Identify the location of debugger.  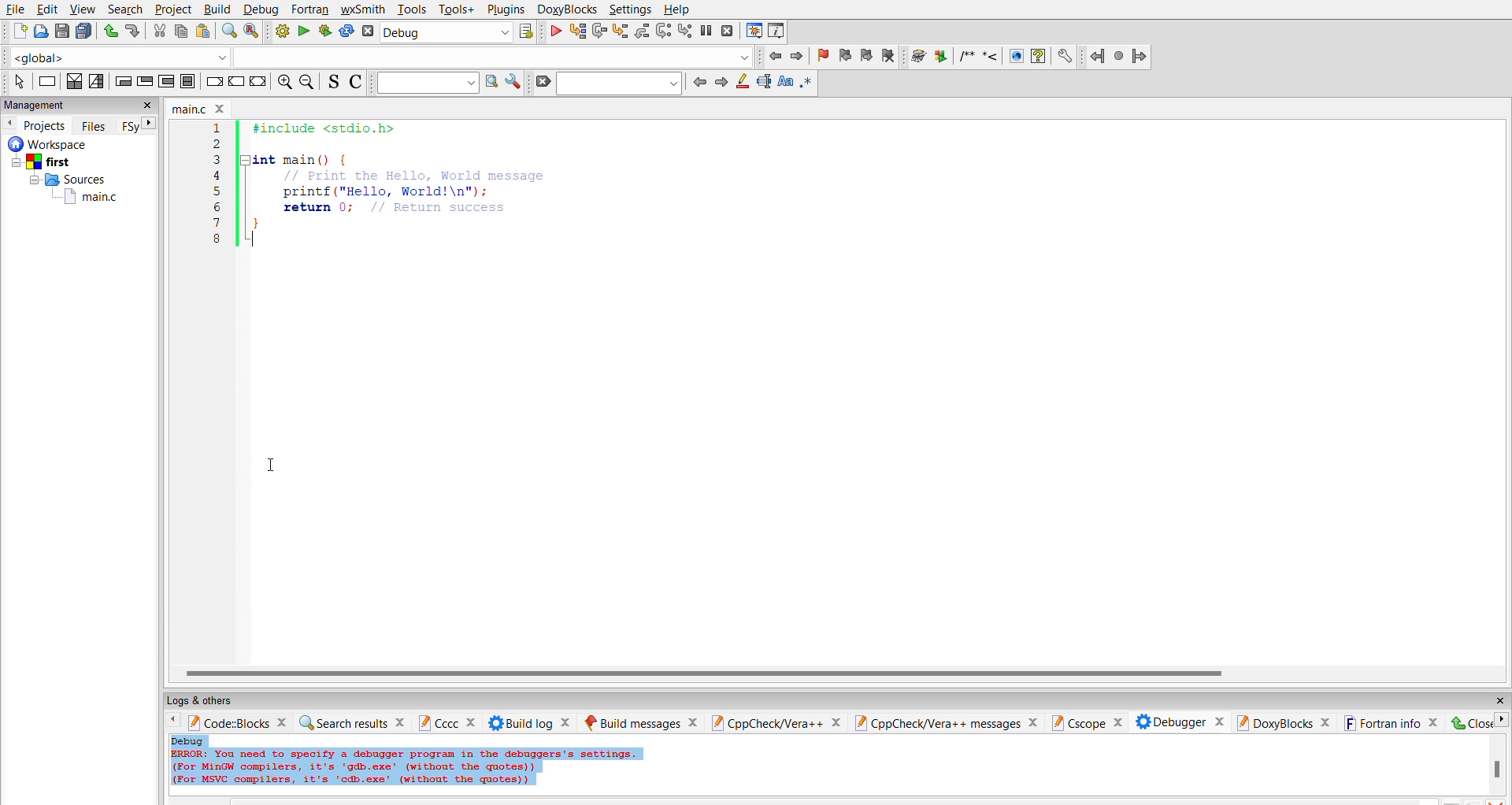
(1177, 720).